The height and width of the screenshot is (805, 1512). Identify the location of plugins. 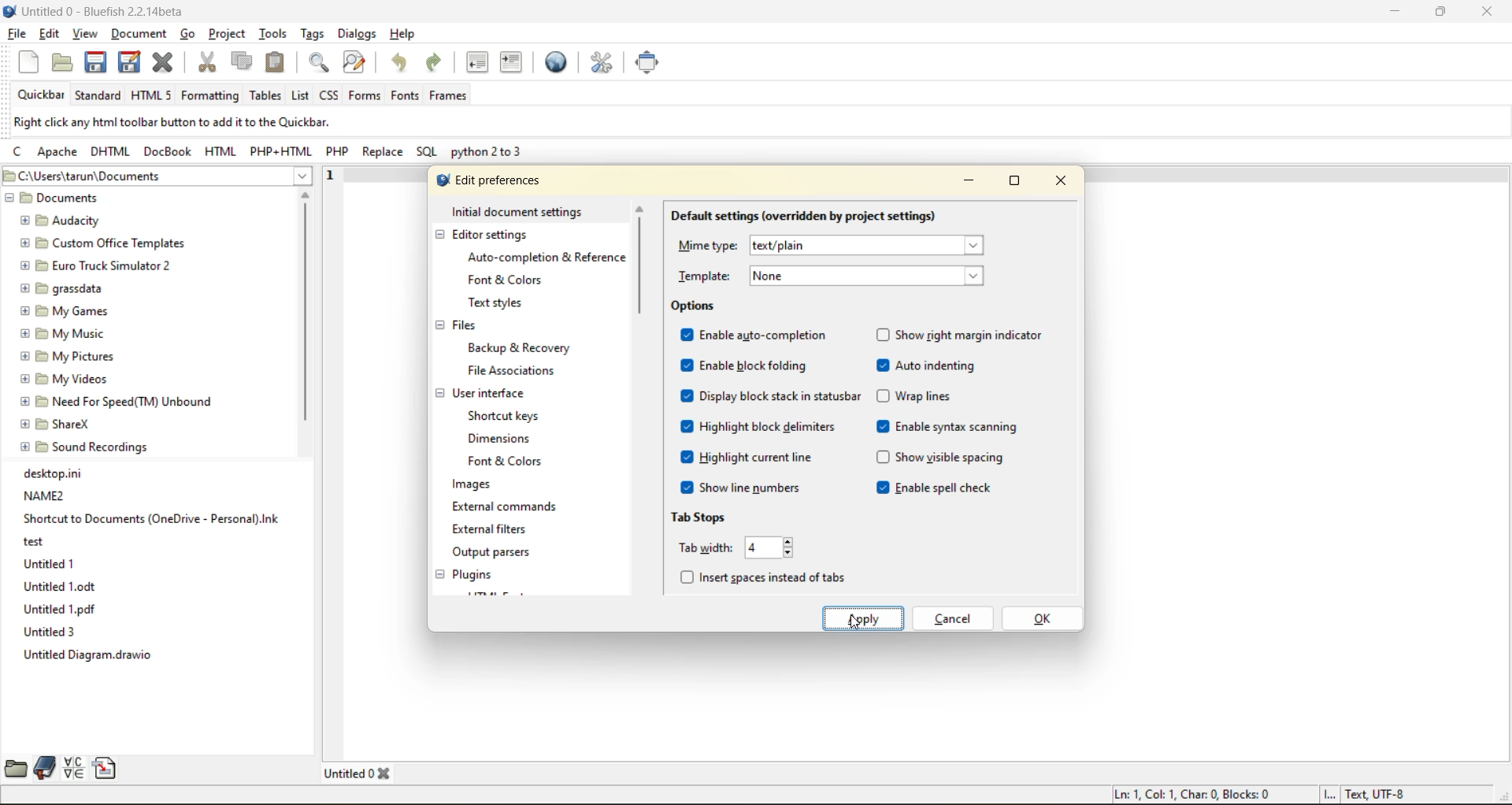
(477, 574).